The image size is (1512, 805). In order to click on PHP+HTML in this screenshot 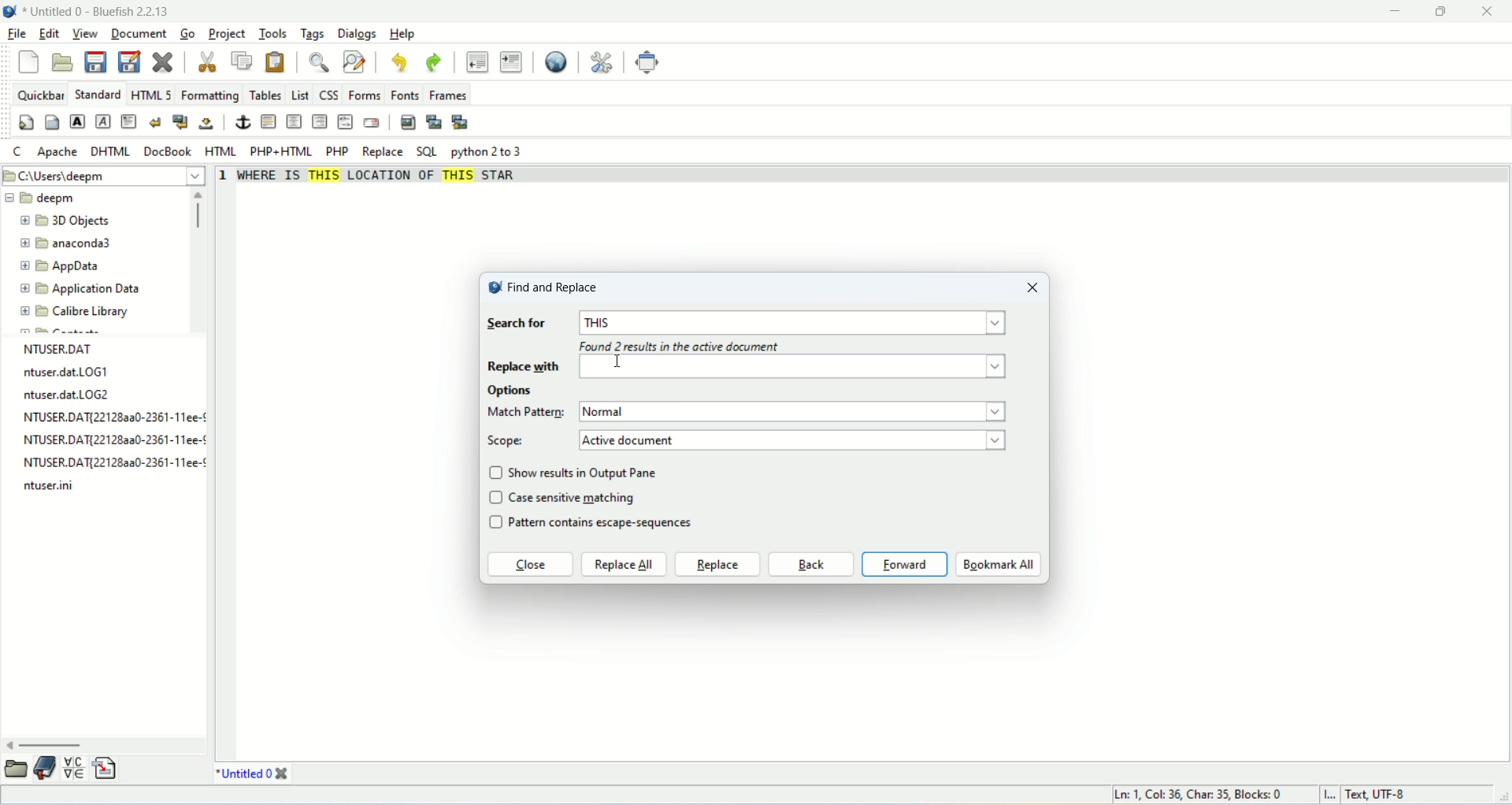, I will do `click(281, 152)`.